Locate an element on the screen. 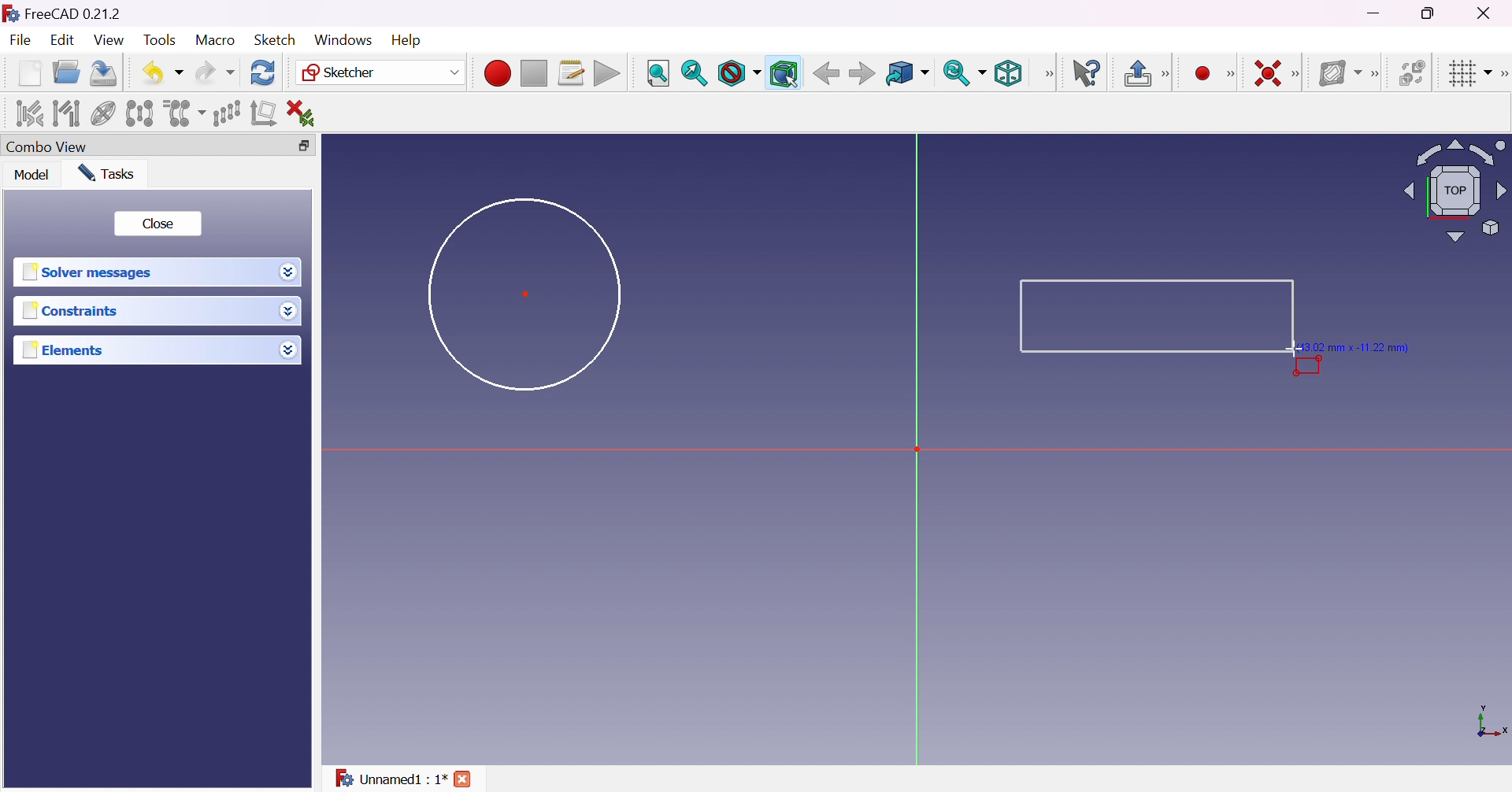 Image resolution: width=1512 pixels, height=792 pixels. Drop is located at coordinates (291, 313).